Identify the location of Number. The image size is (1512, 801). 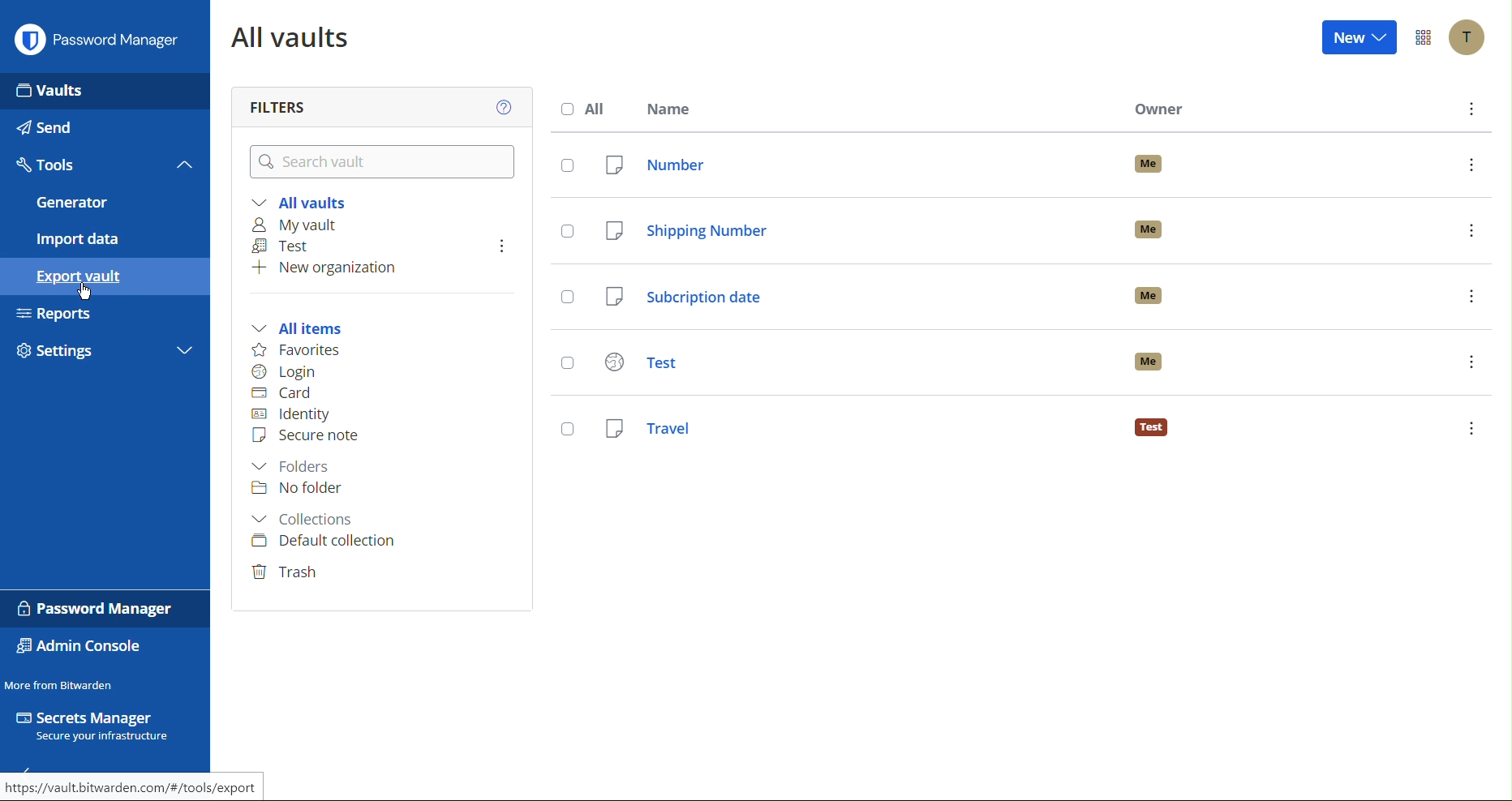
(850, 165).